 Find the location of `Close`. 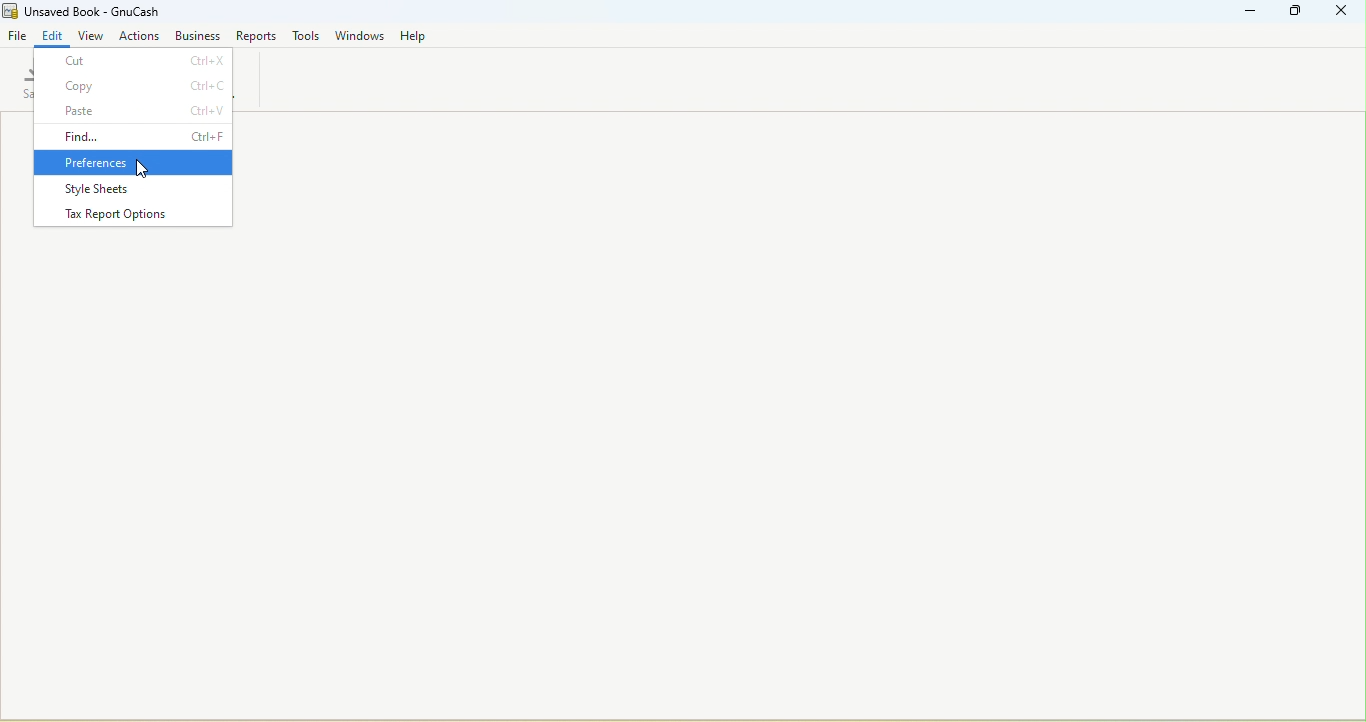

Close is located at coordinates (1342, 12).